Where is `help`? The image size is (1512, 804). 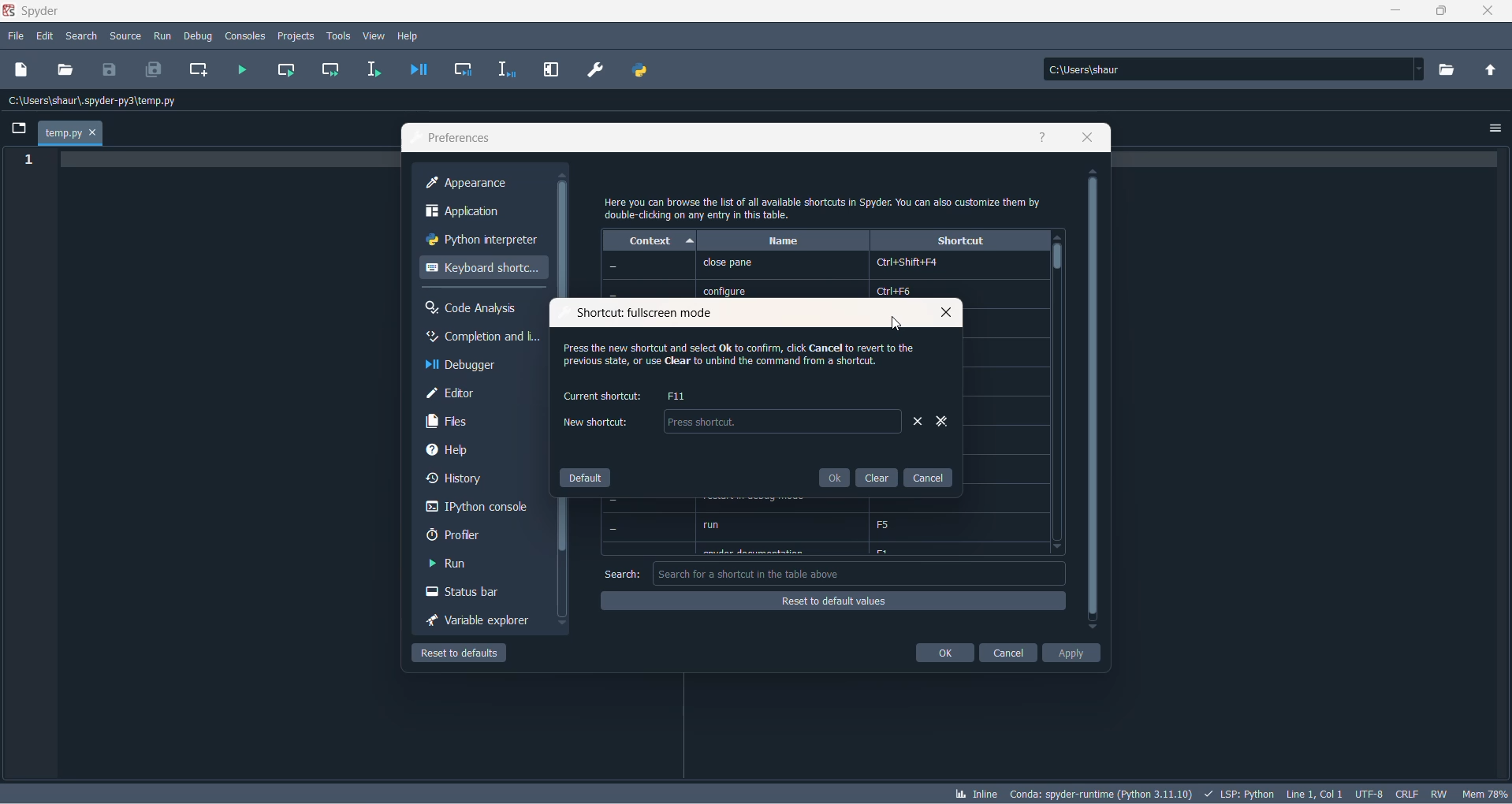 help is located at coordinates (1045, 139).